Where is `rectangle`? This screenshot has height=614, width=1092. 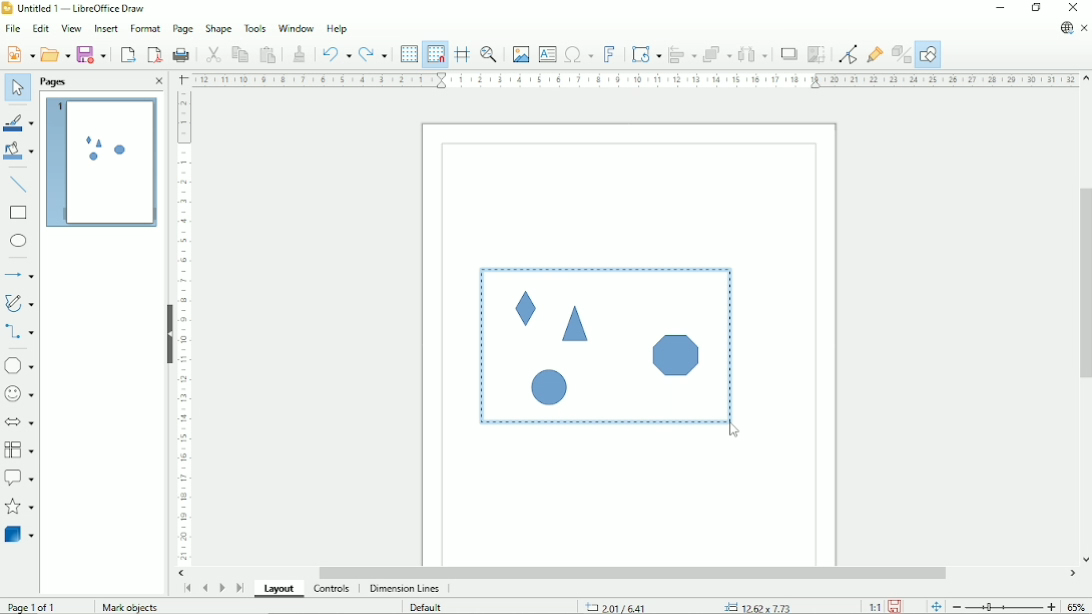 rectangle is located at coordinates (18, 213).